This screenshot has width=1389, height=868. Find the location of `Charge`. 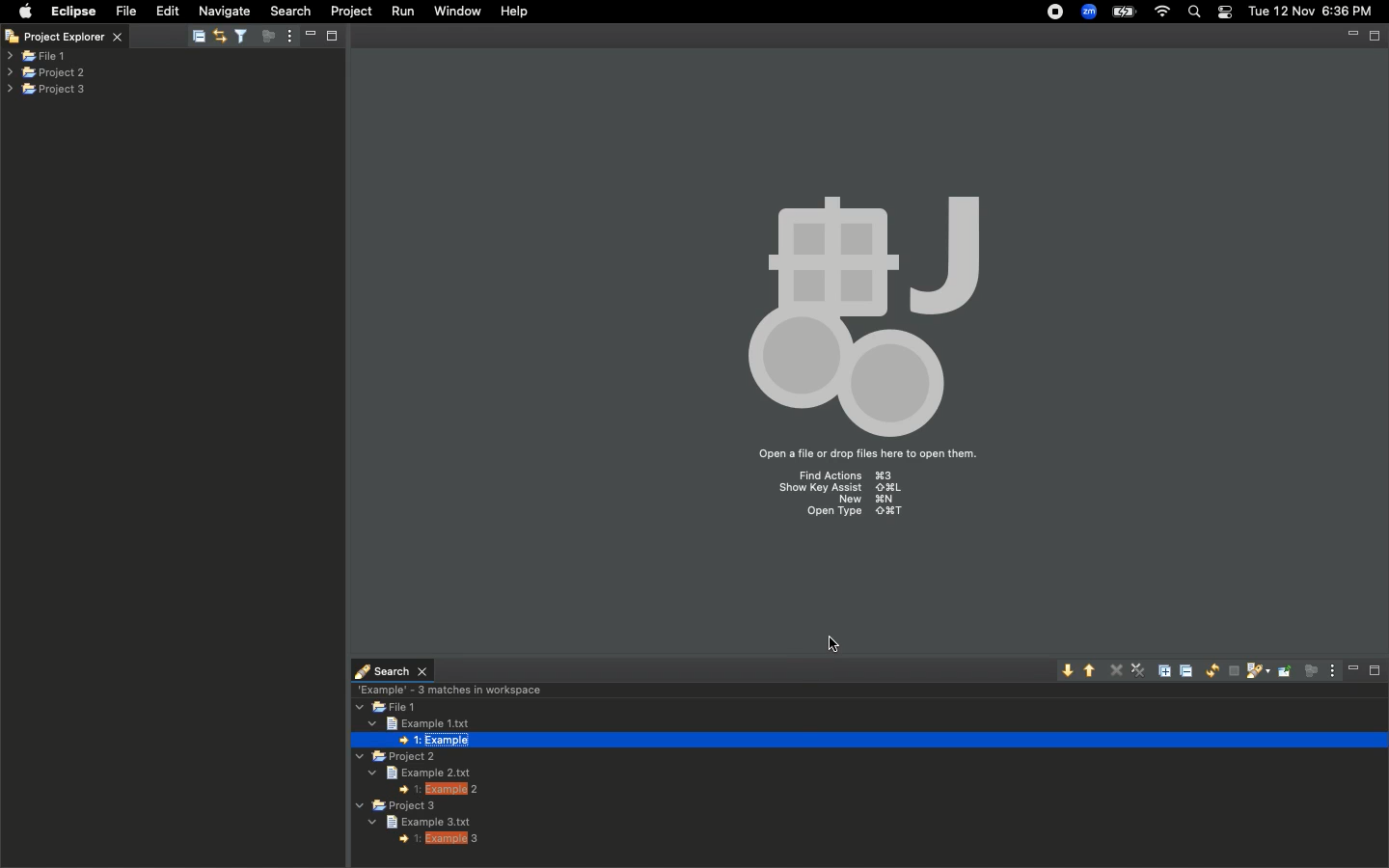

Charge is located at coordinates (1122, 12).